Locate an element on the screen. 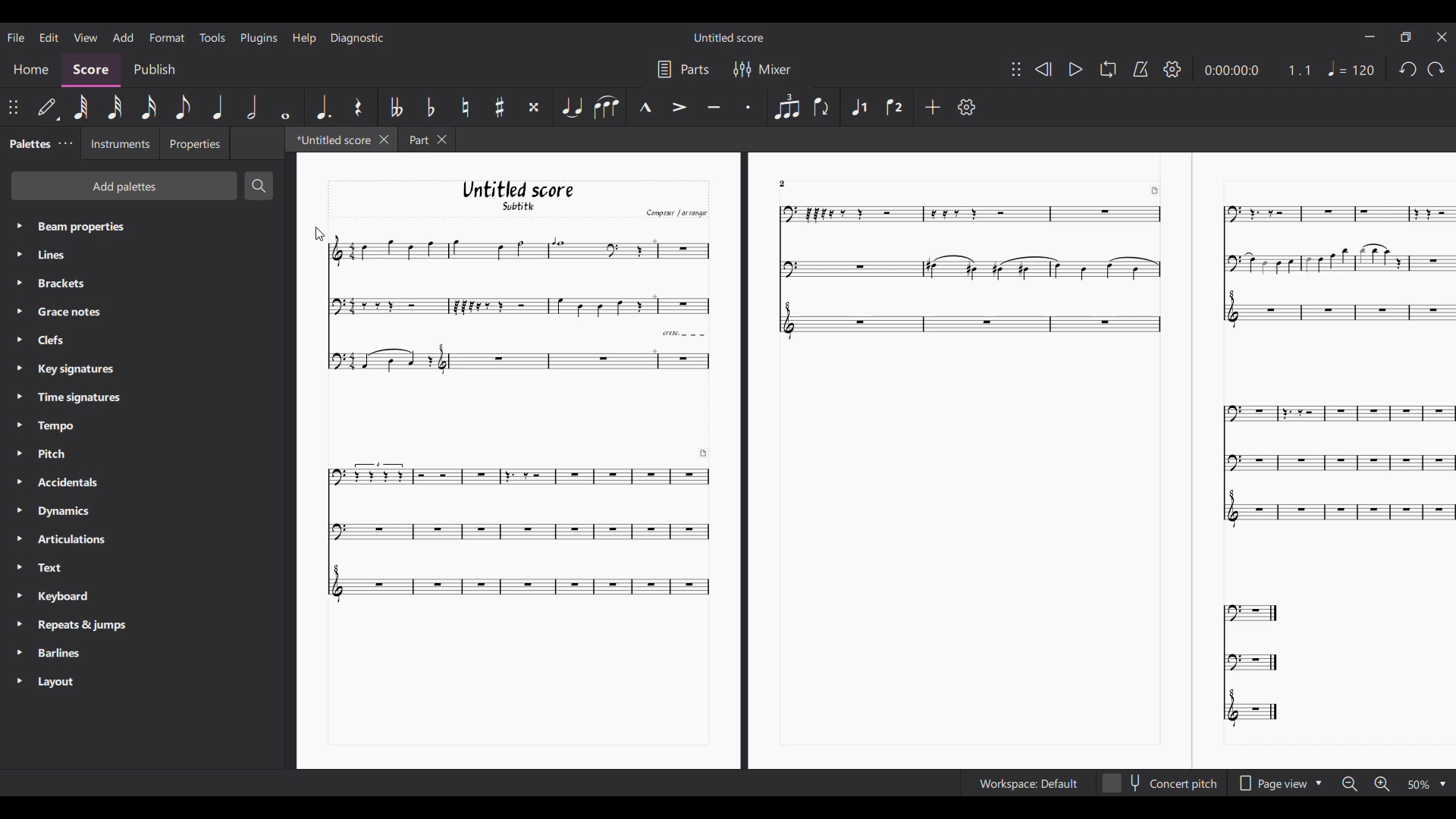  16th note is located at coordinates (149, 108).